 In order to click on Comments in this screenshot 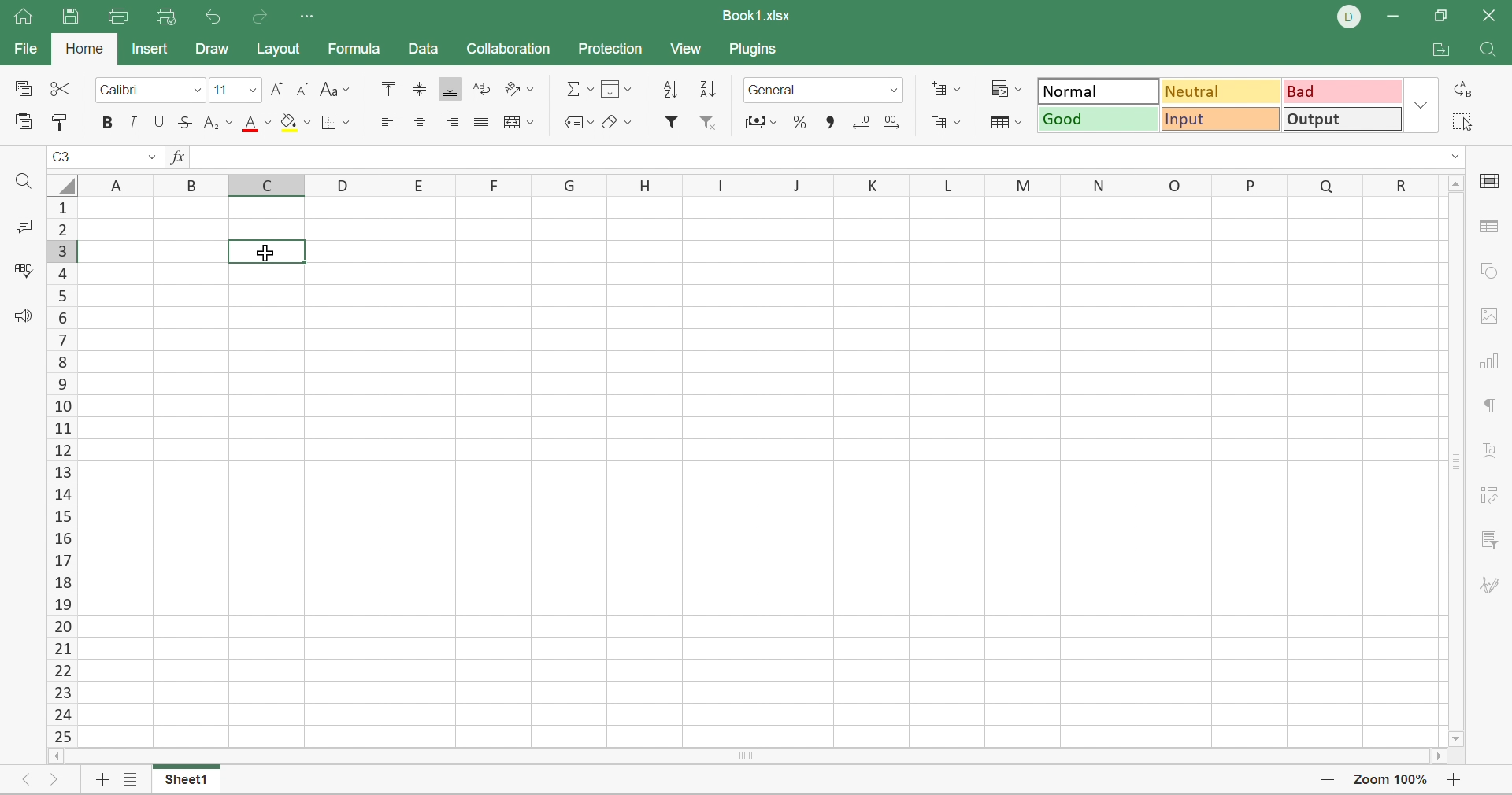, I will do `click(21, 227)`.